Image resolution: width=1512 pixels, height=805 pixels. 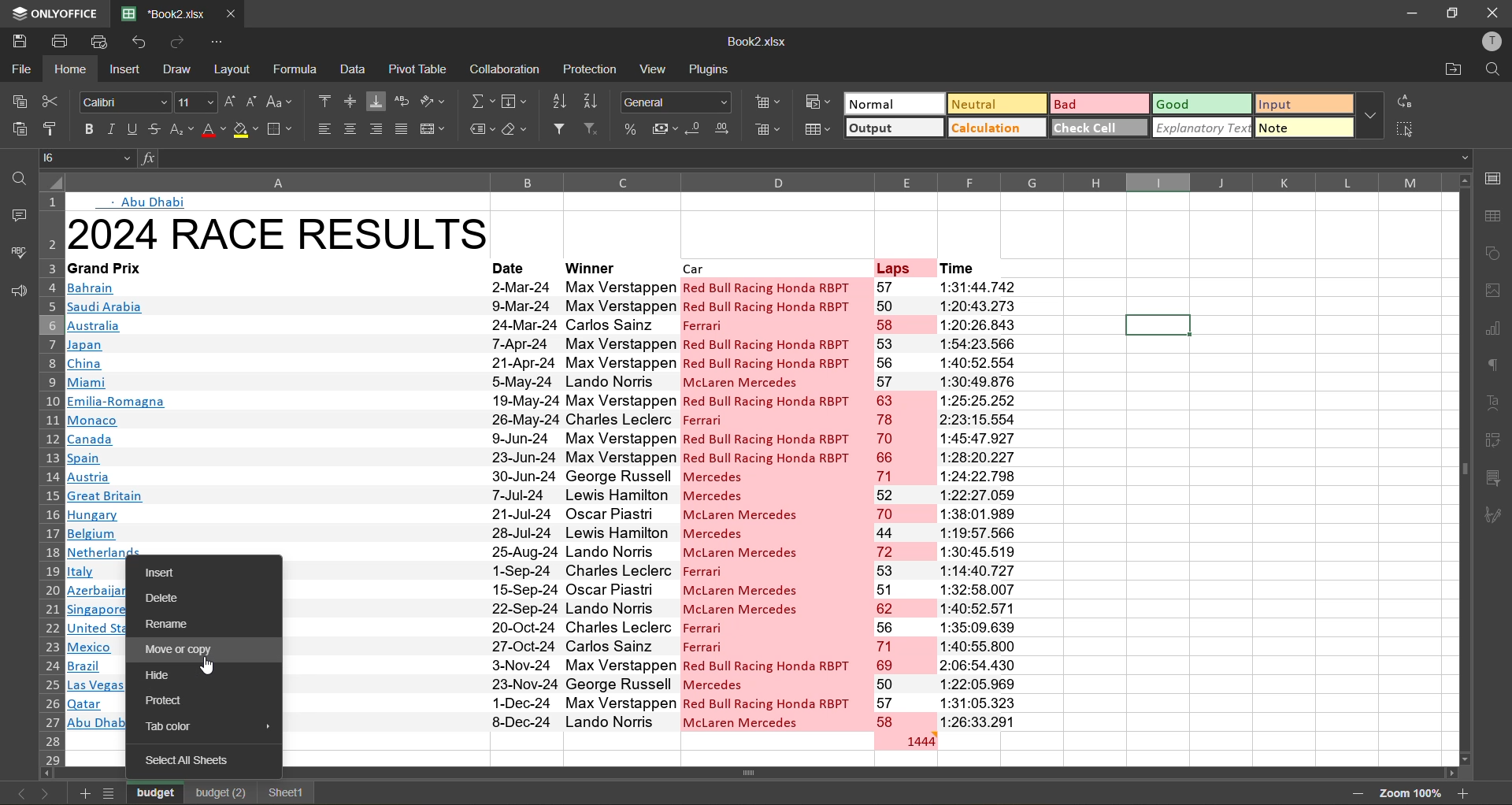 I want to click on print, so click(x=65, y=42).